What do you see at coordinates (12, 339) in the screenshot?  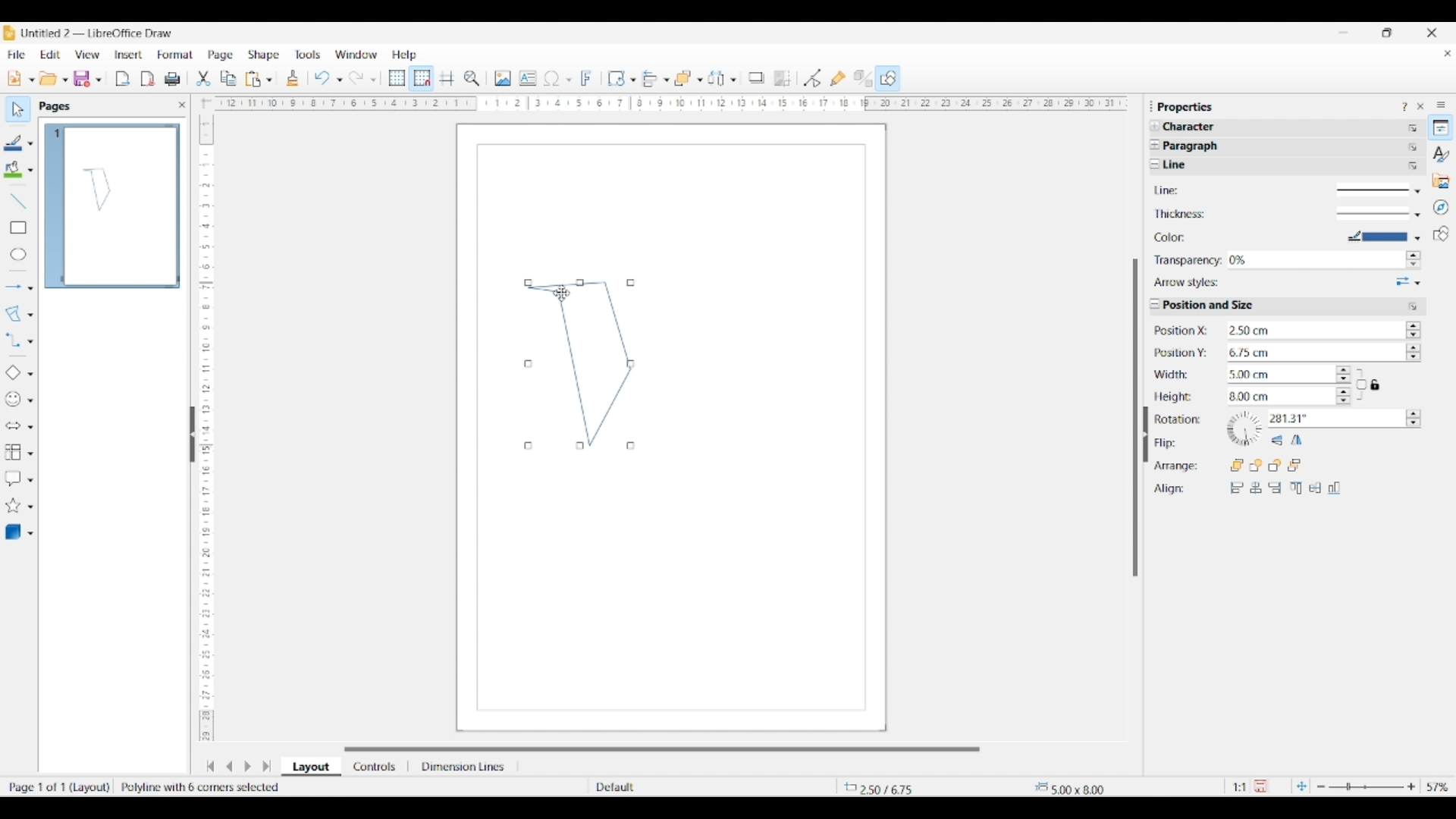 I see `Selected connector` at bounding box center [12, 339].